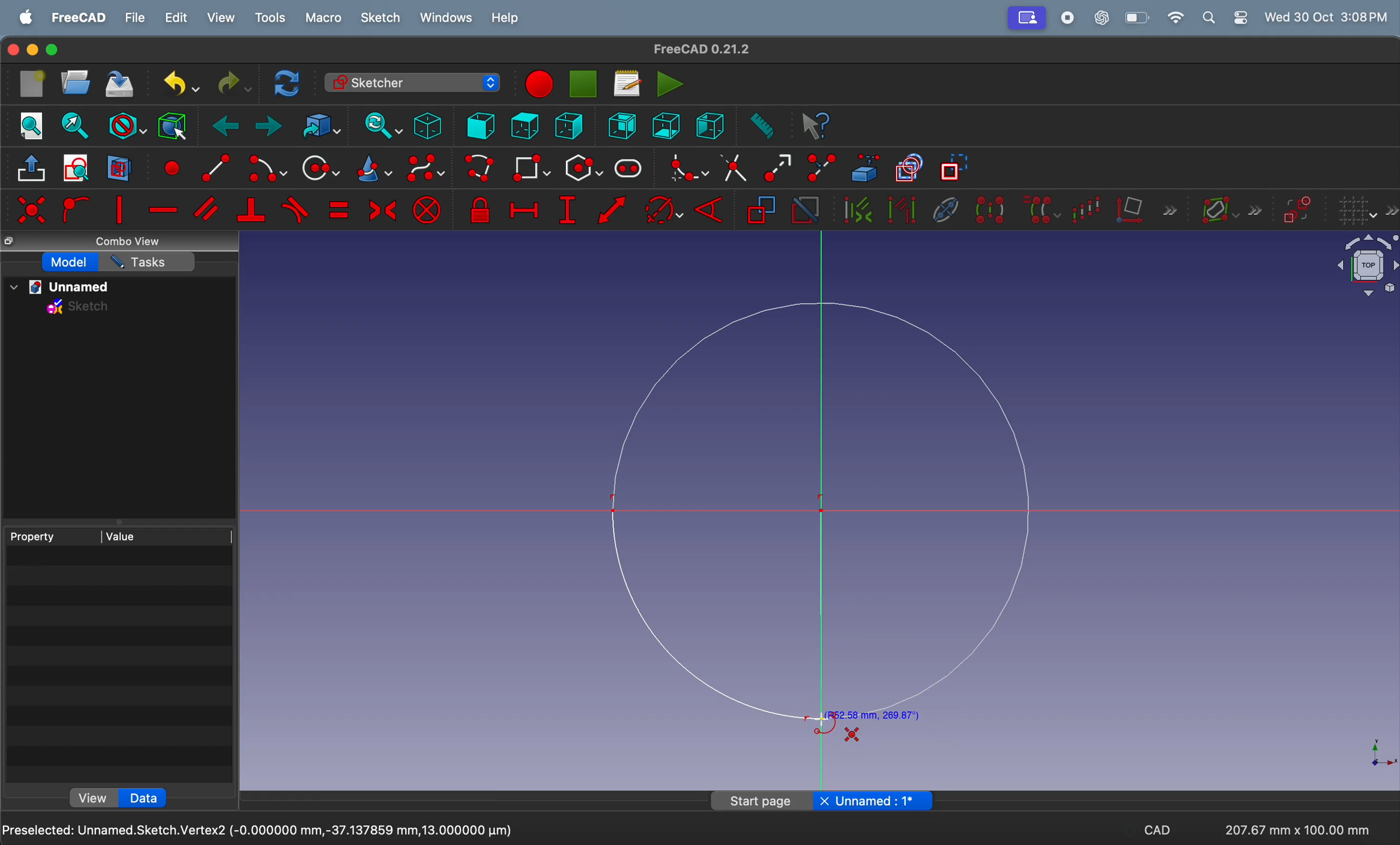  What do you see at coordinates (625, 125) in the screenshot?
I see `rear view` at bounding box center [625, 125].